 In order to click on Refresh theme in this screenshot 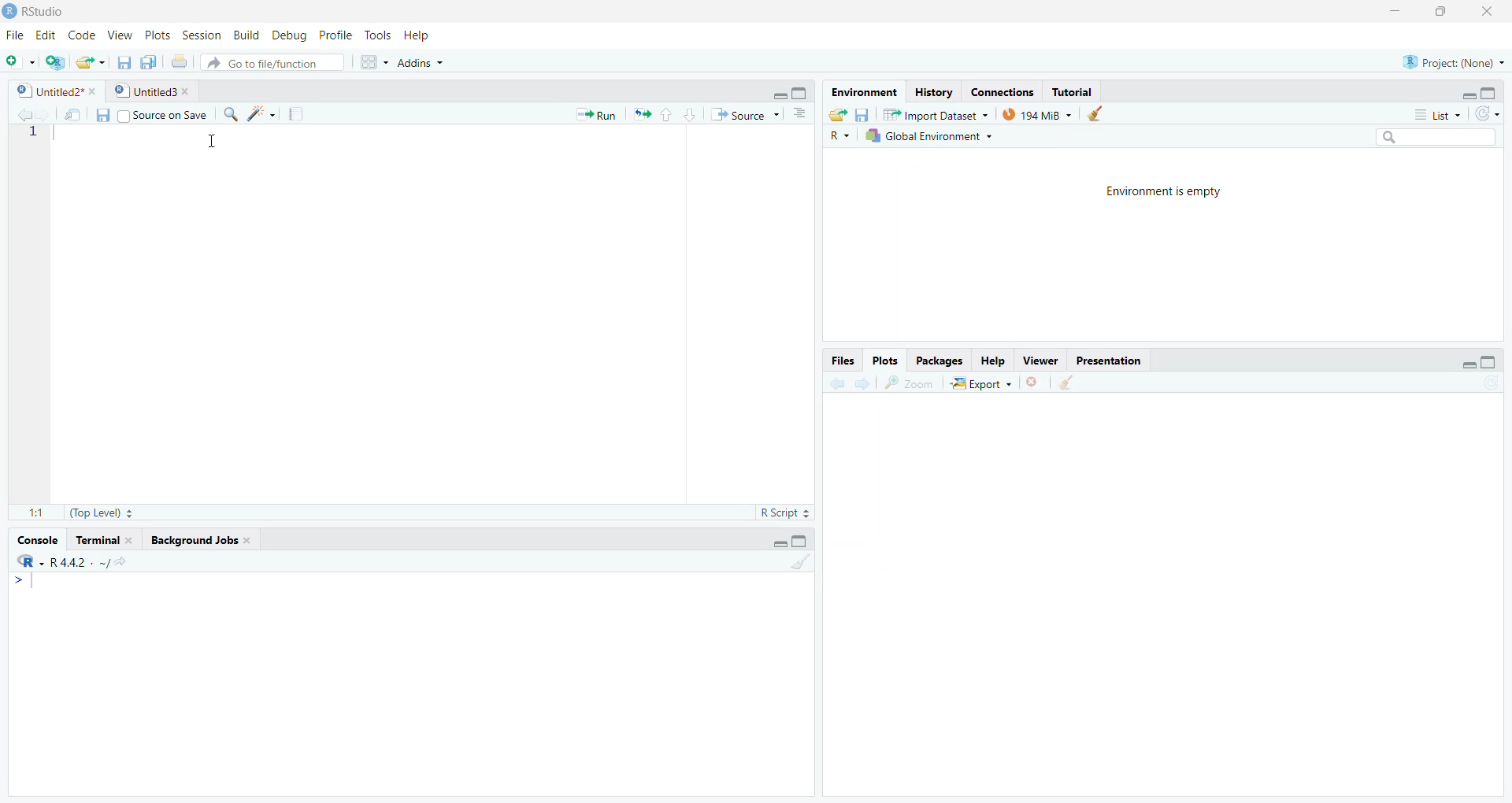, I will do `click(1490, 113)`.